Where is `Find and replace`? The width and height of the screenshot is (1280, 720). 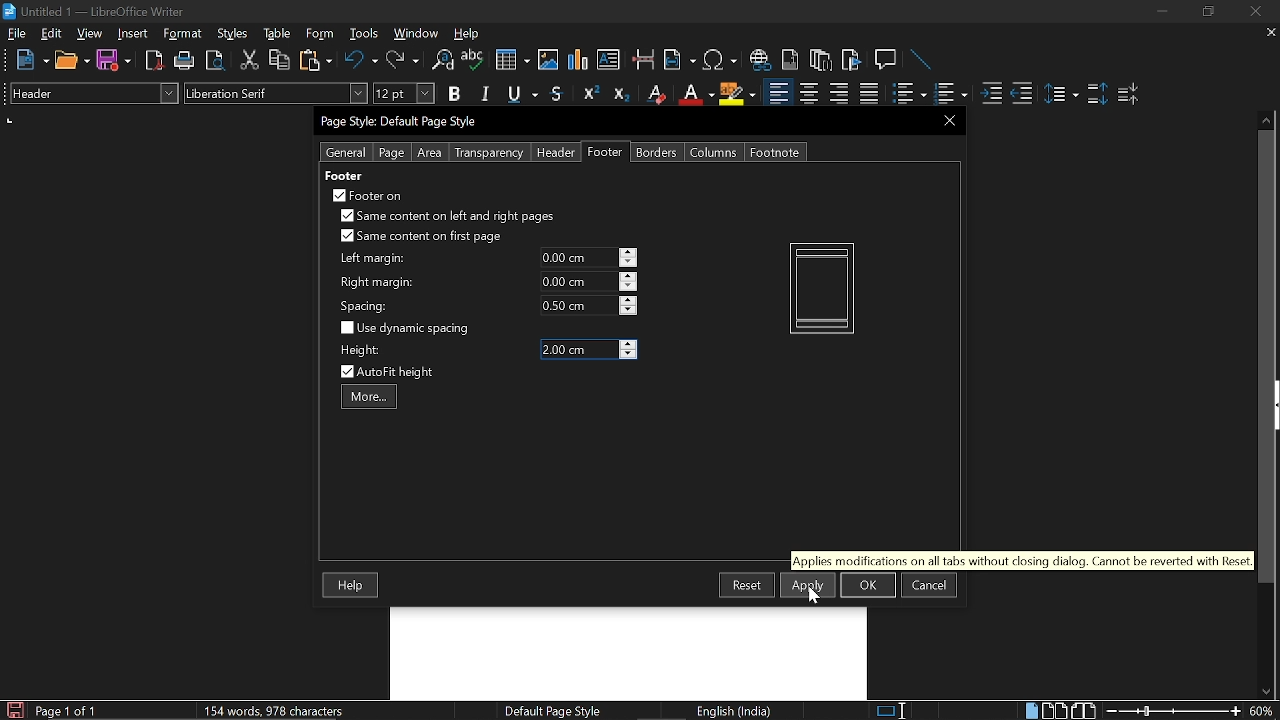 Find and replace is located at coordinates (441, 61).